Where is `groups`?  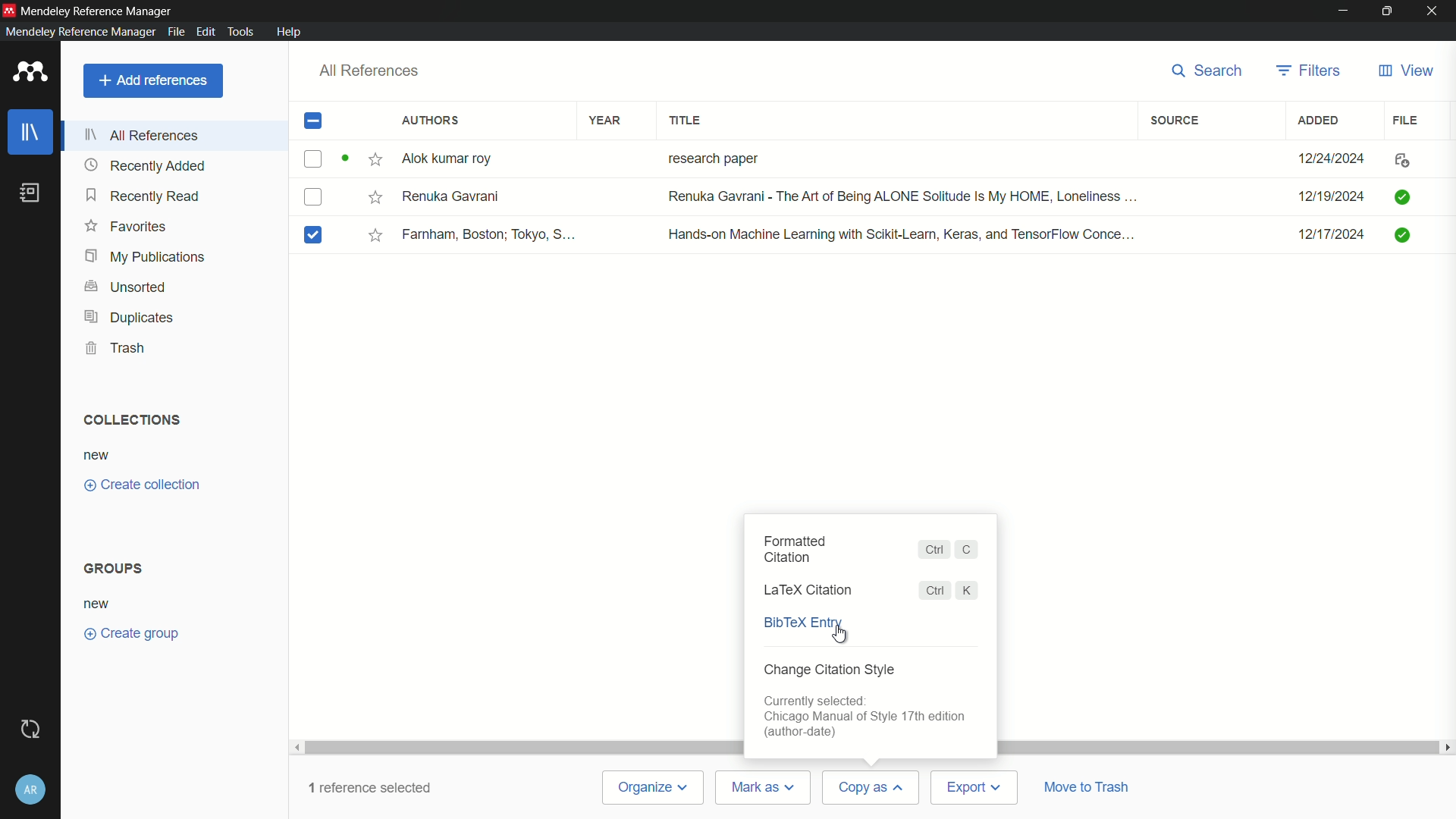 groups is located at coordinates (115, 568).